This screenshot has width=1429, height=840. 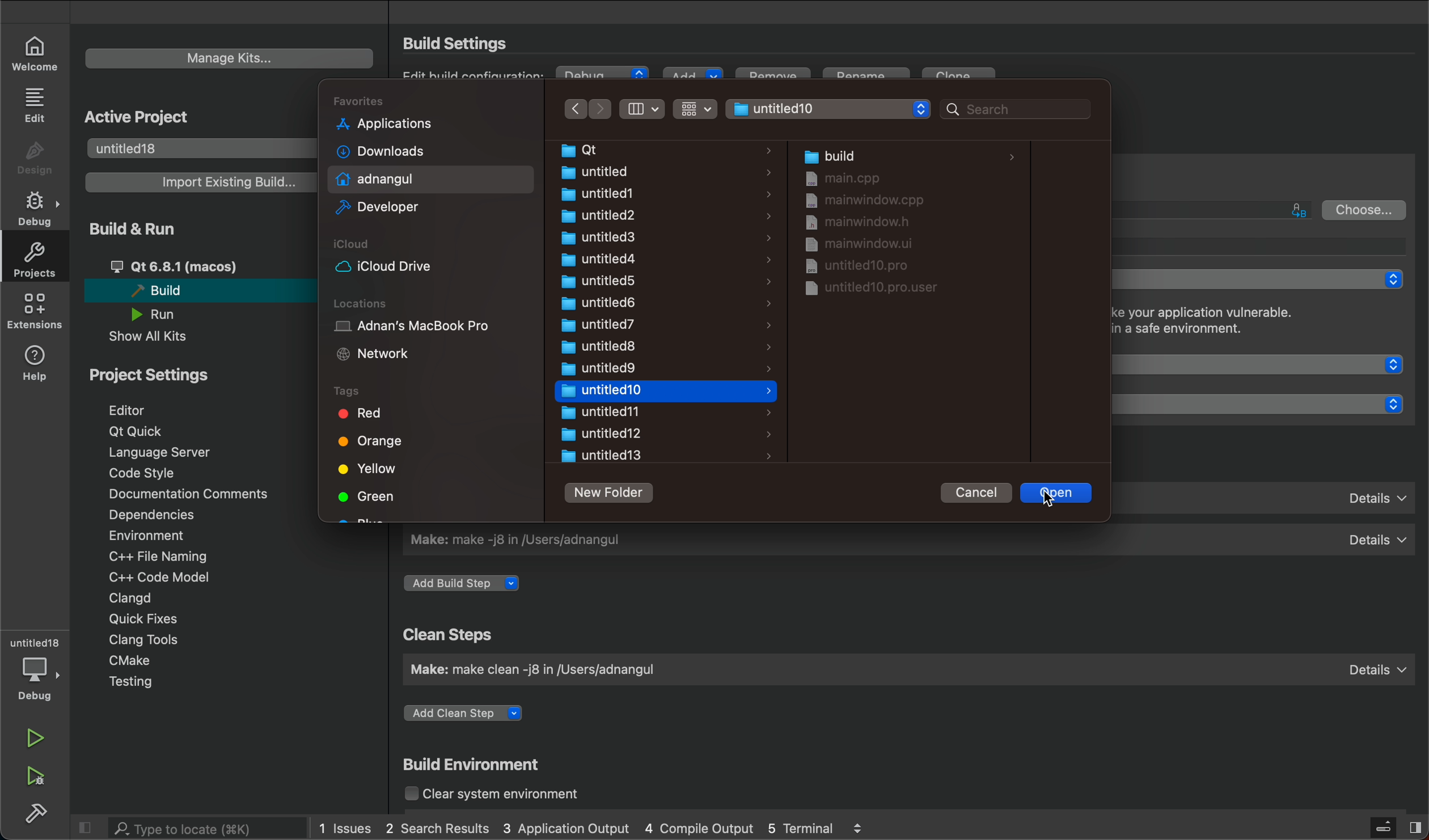 I want to click on Qt, so click(x=654, y=149).